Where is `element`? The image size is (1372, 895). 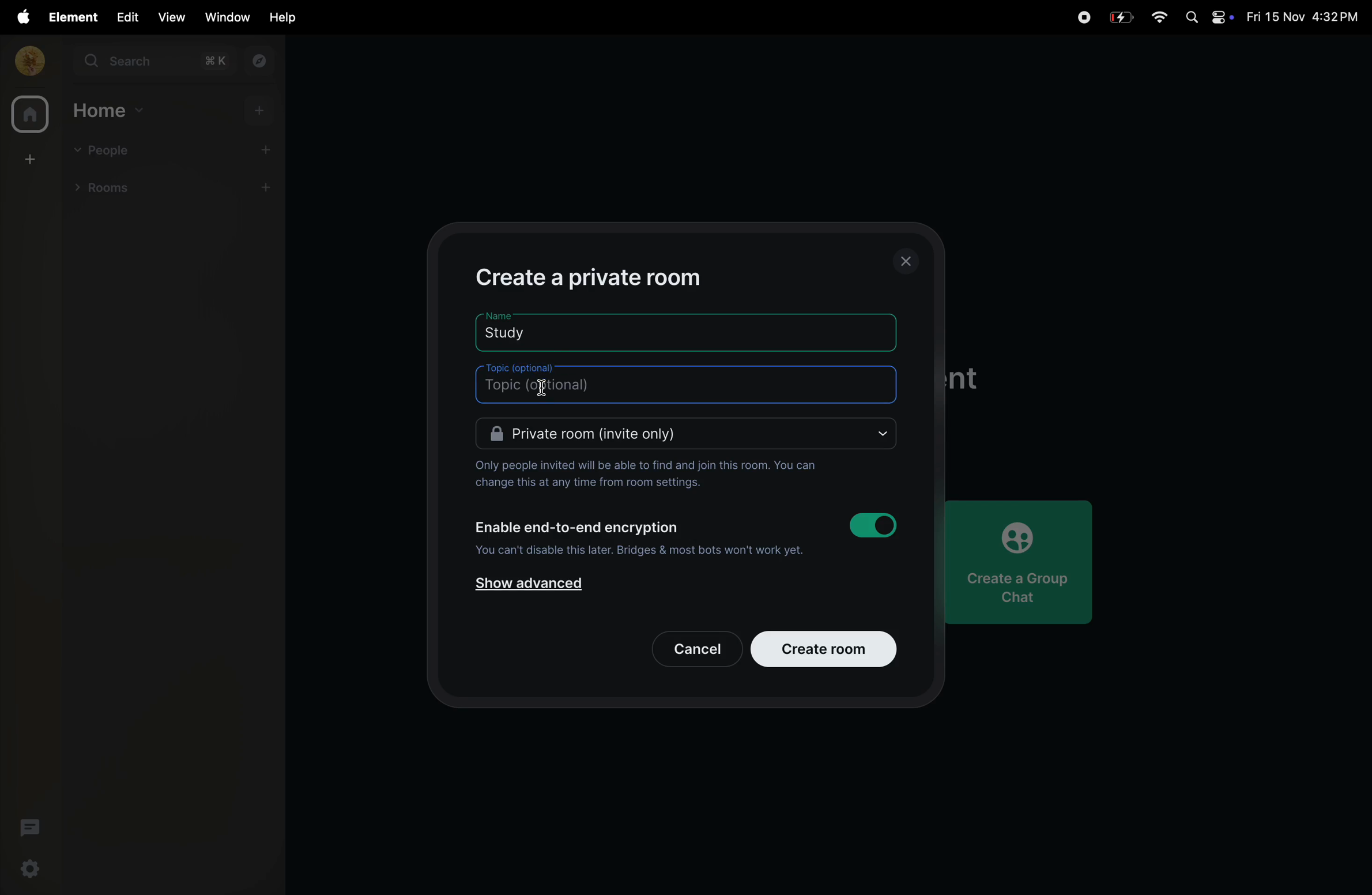 element is located at coordinates (68, 17).